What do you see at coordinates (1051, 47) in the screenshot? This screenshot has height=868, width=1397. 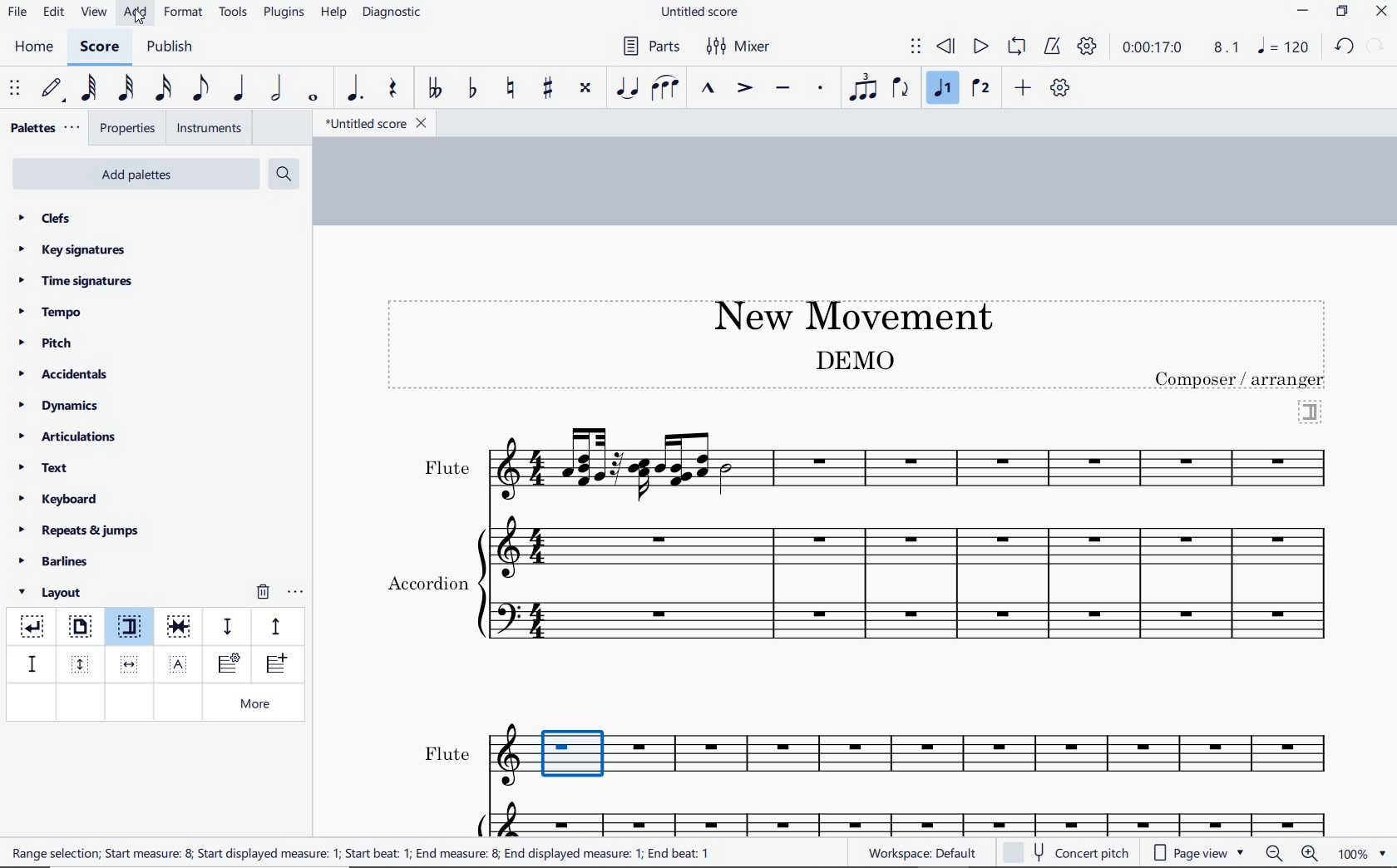 I see `metronome` at bounding box center [1051, 47].